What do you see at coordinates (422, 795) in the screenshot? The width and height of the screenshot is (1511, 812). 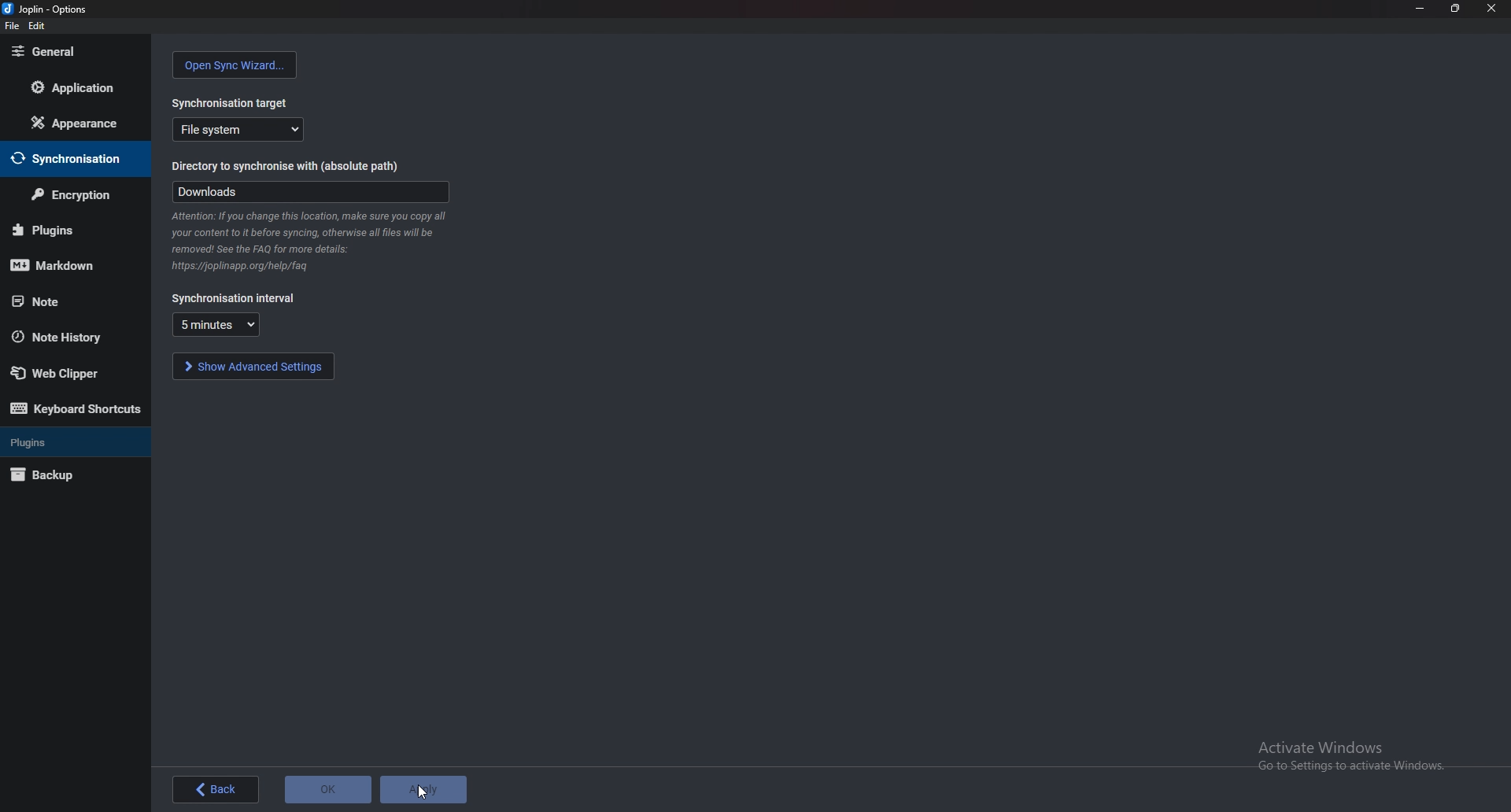 I see `Cursor` at bounding box center [422, 795].